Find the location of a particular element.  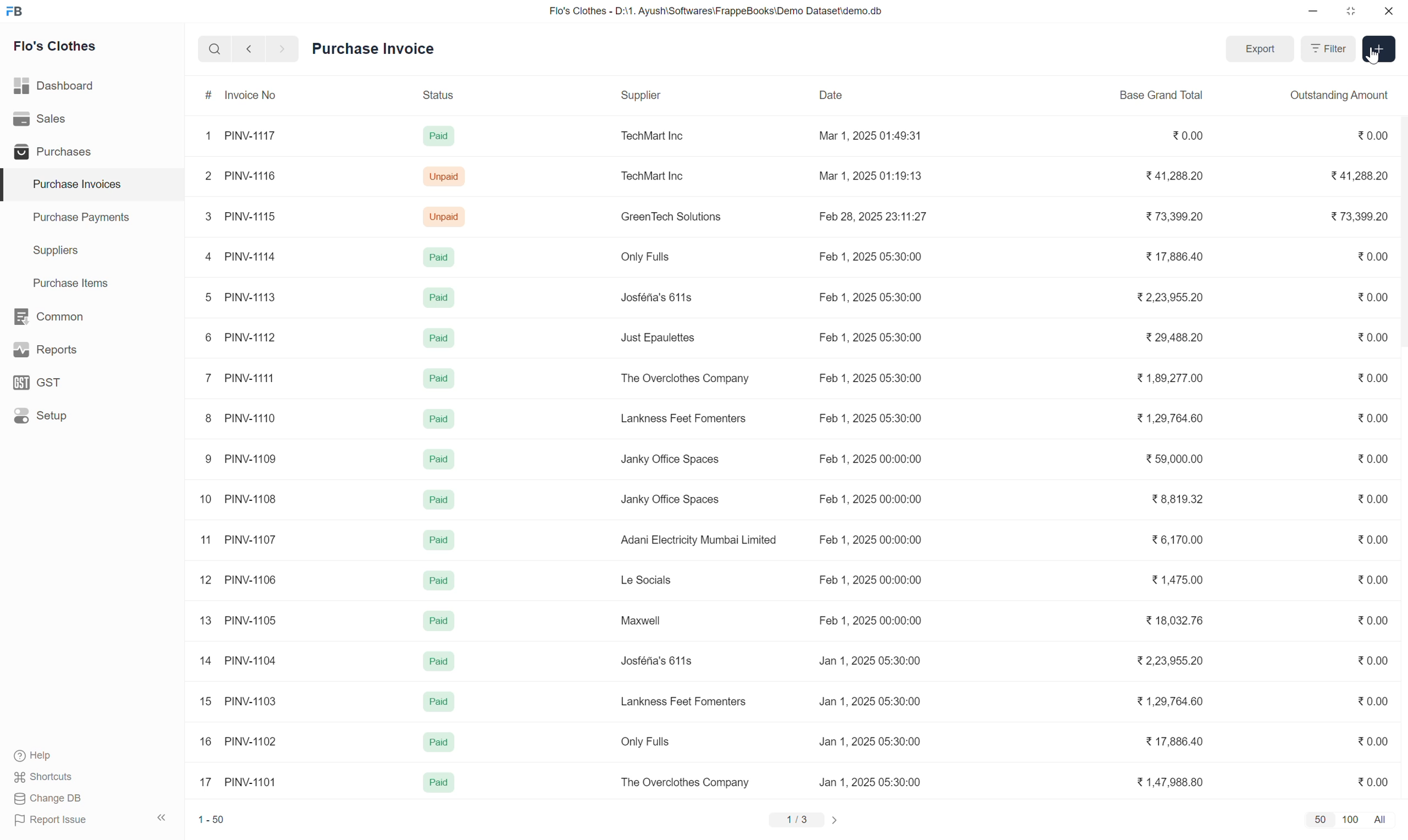

0.00 is located at coordinates (1373, 418).